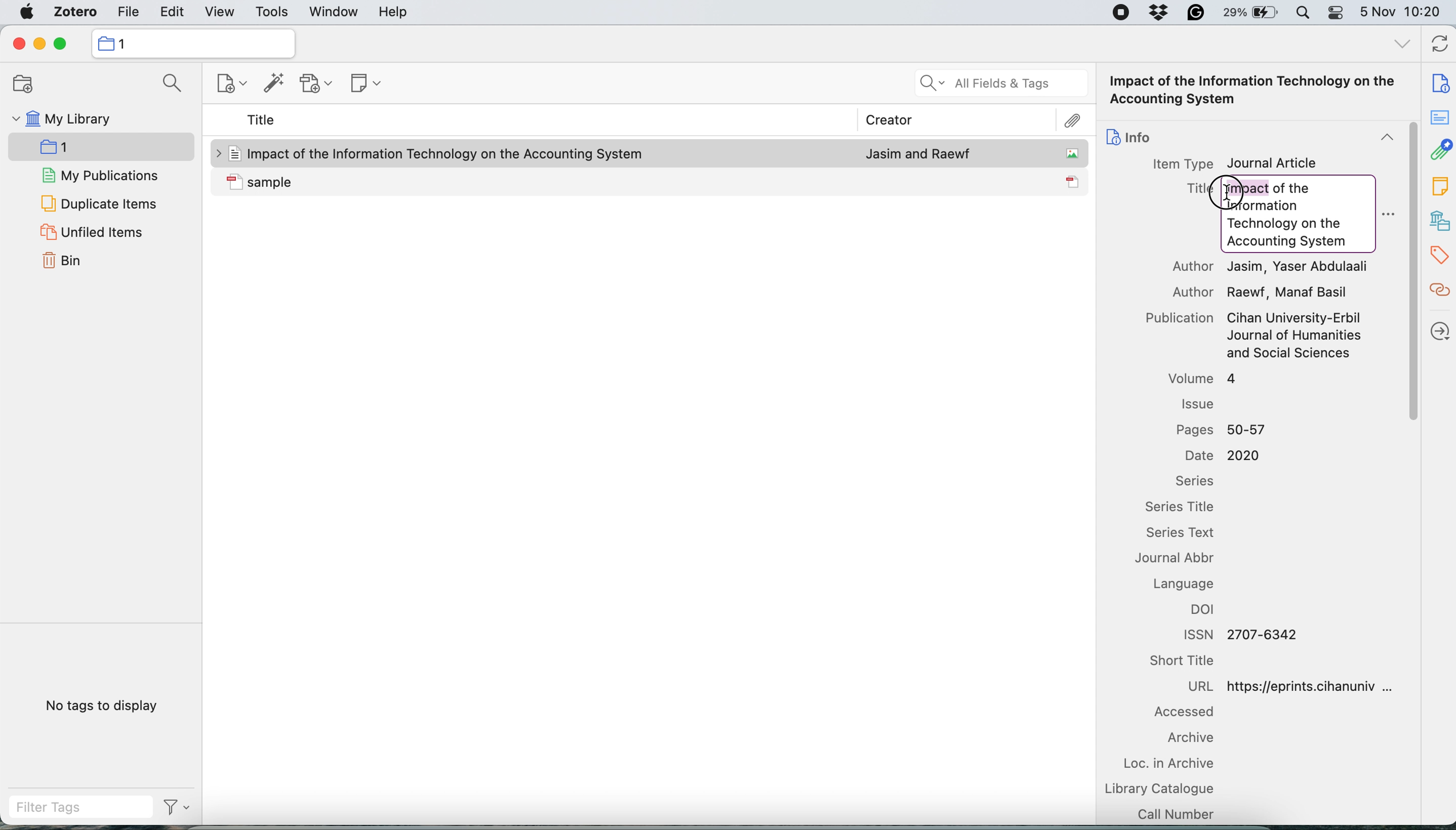  Describe the element at coordinates (1190, 738) in the screenshot. I see `archive` at that location.